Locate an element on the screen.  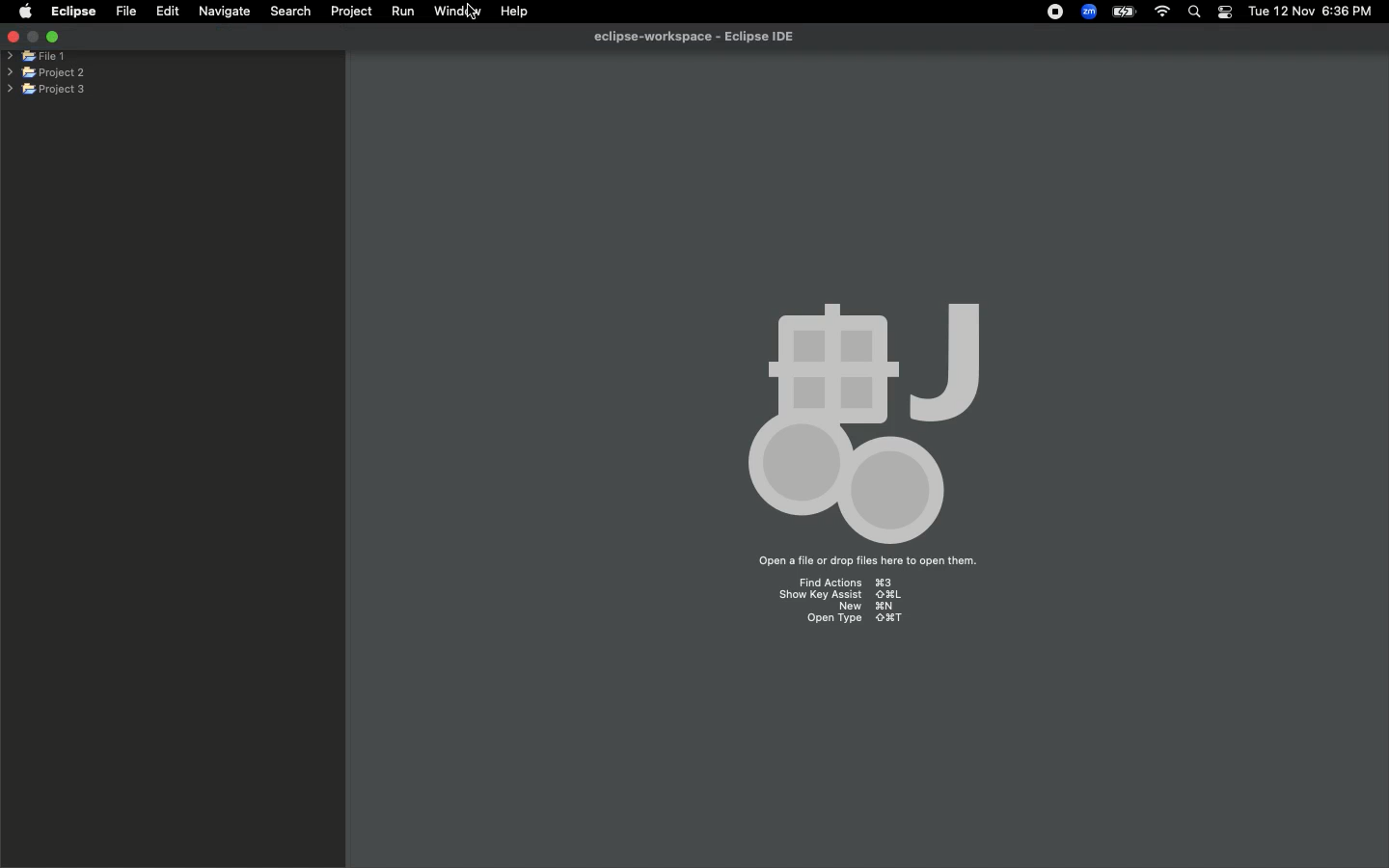
Run is located at coordinates (404, 12).